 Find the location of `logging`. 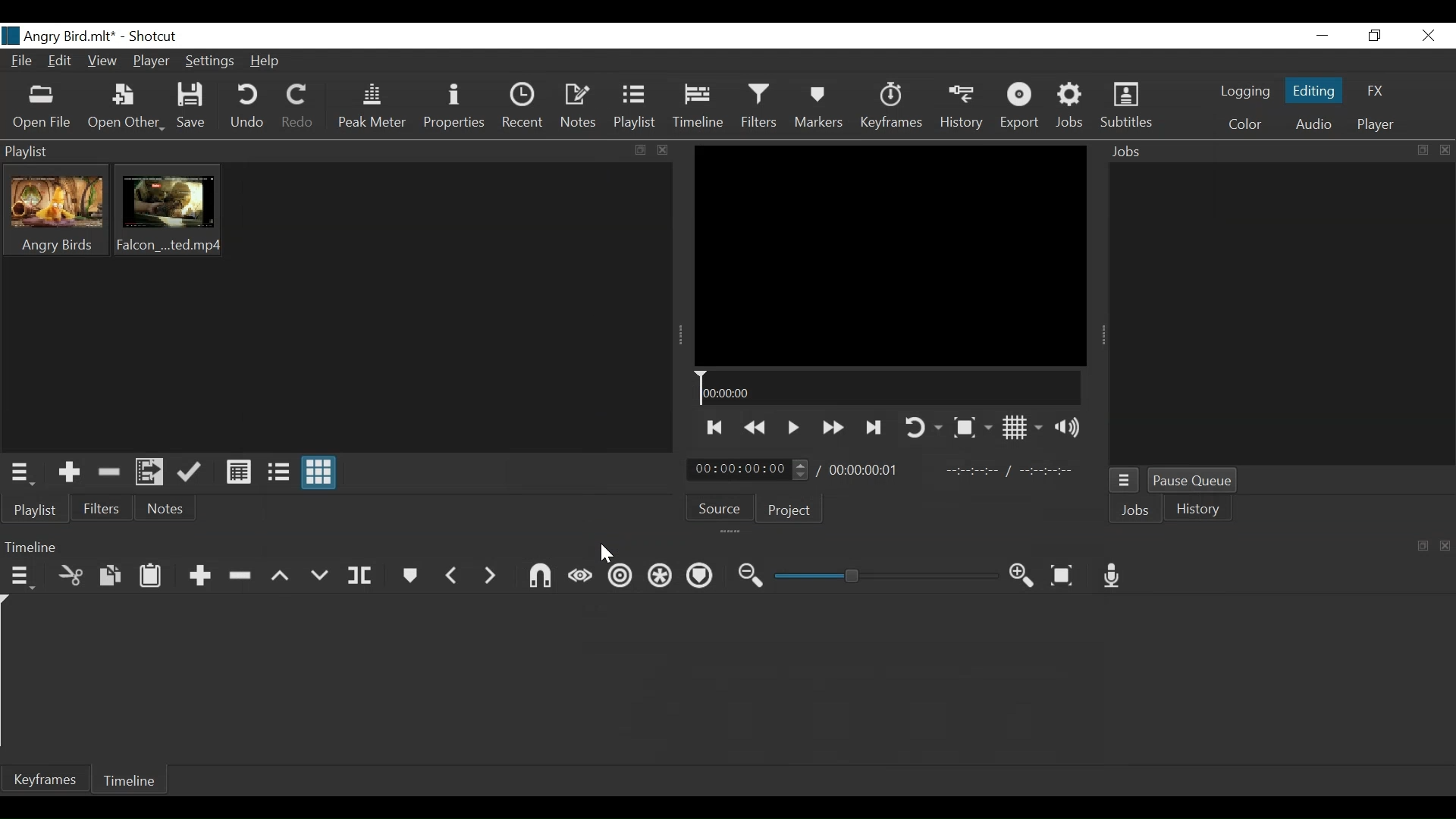

logging is located at coordinates (1245, 93).